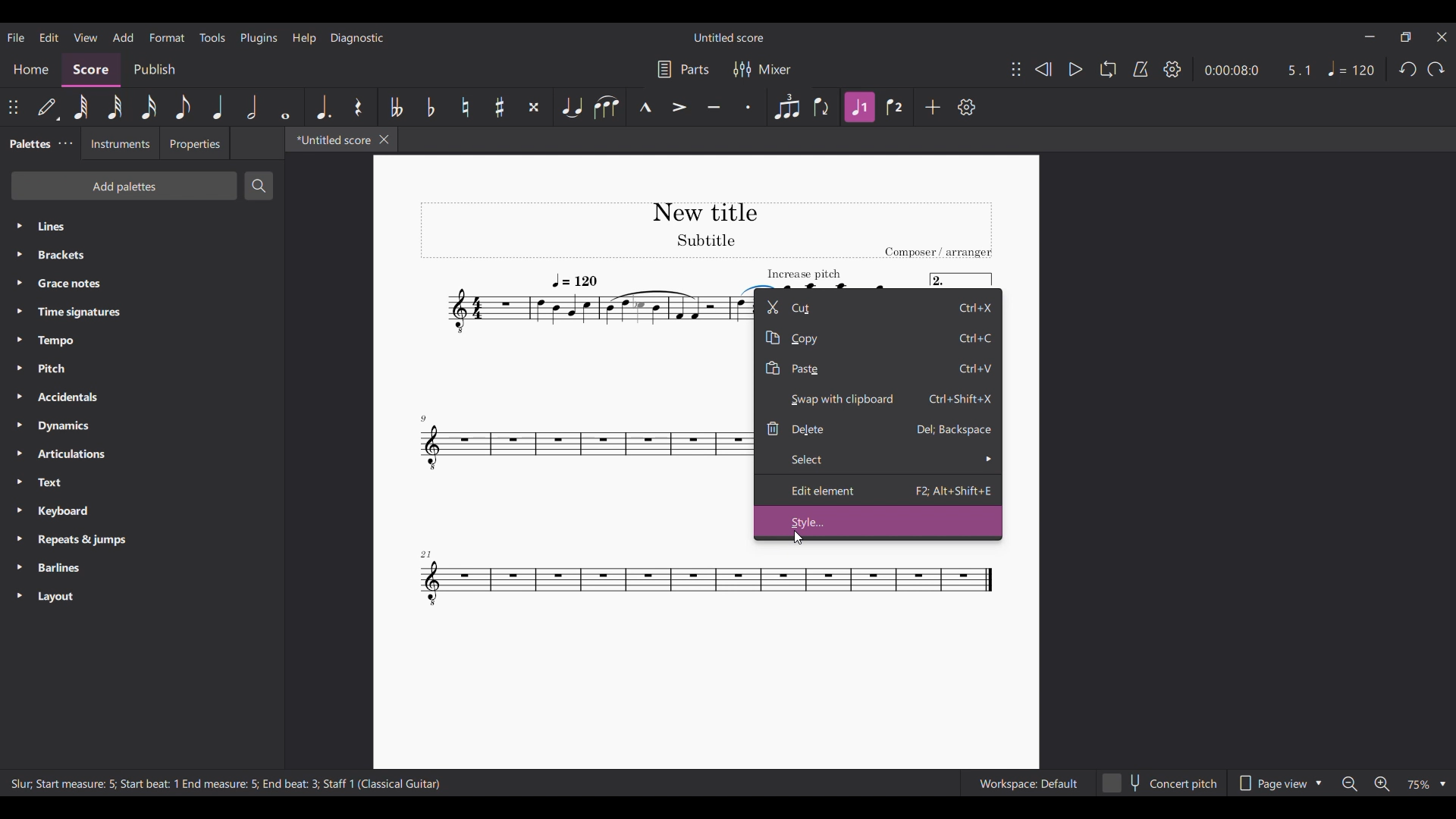 Image resolution: width=1456 pixels, height=819 pixels. What do you see at coordinates (1229, 70) in the screenshot?
I see `Current duration` at bounding box center [1229, 70].